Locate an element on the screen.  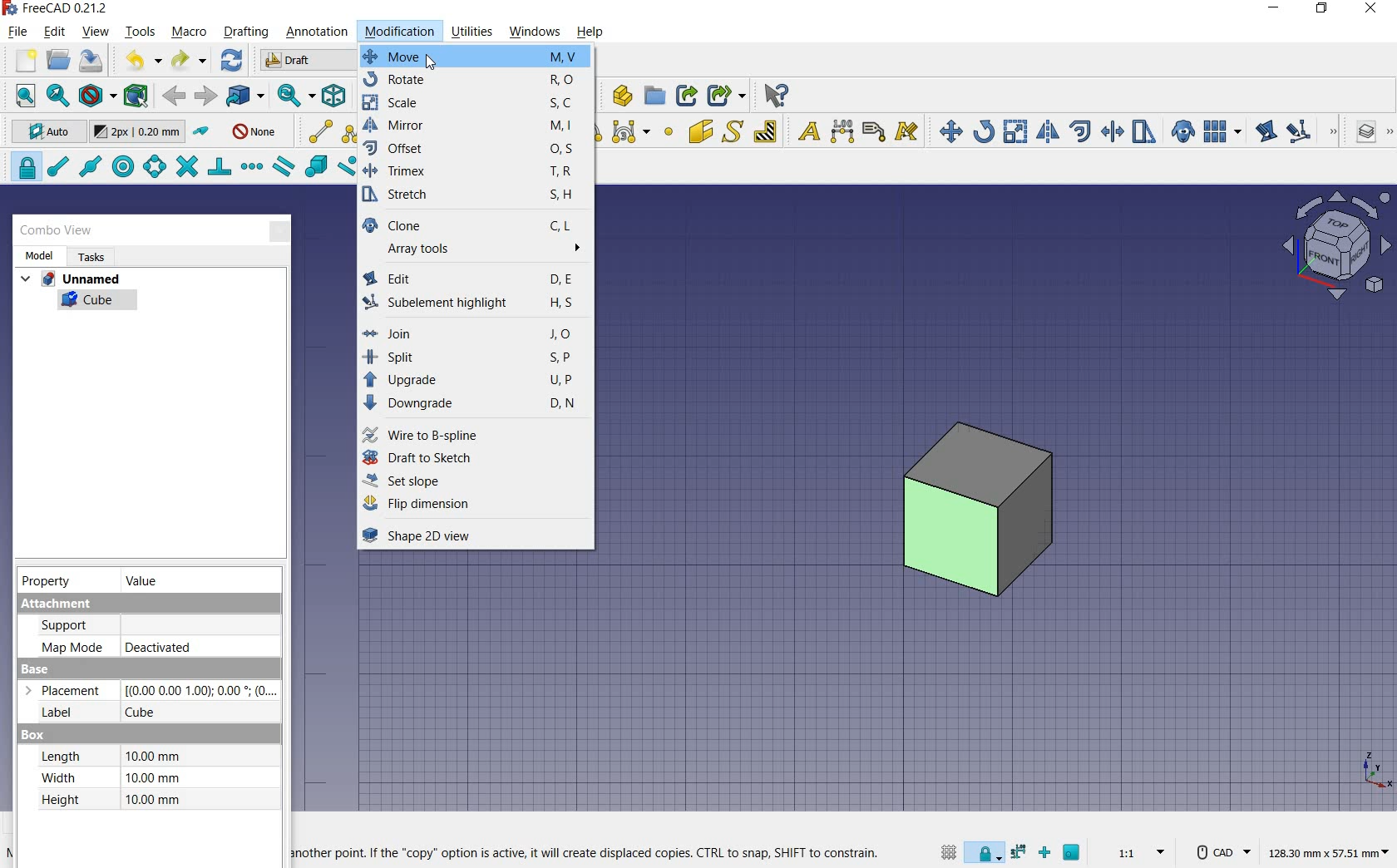
edit is located at coordinates (55, 32).